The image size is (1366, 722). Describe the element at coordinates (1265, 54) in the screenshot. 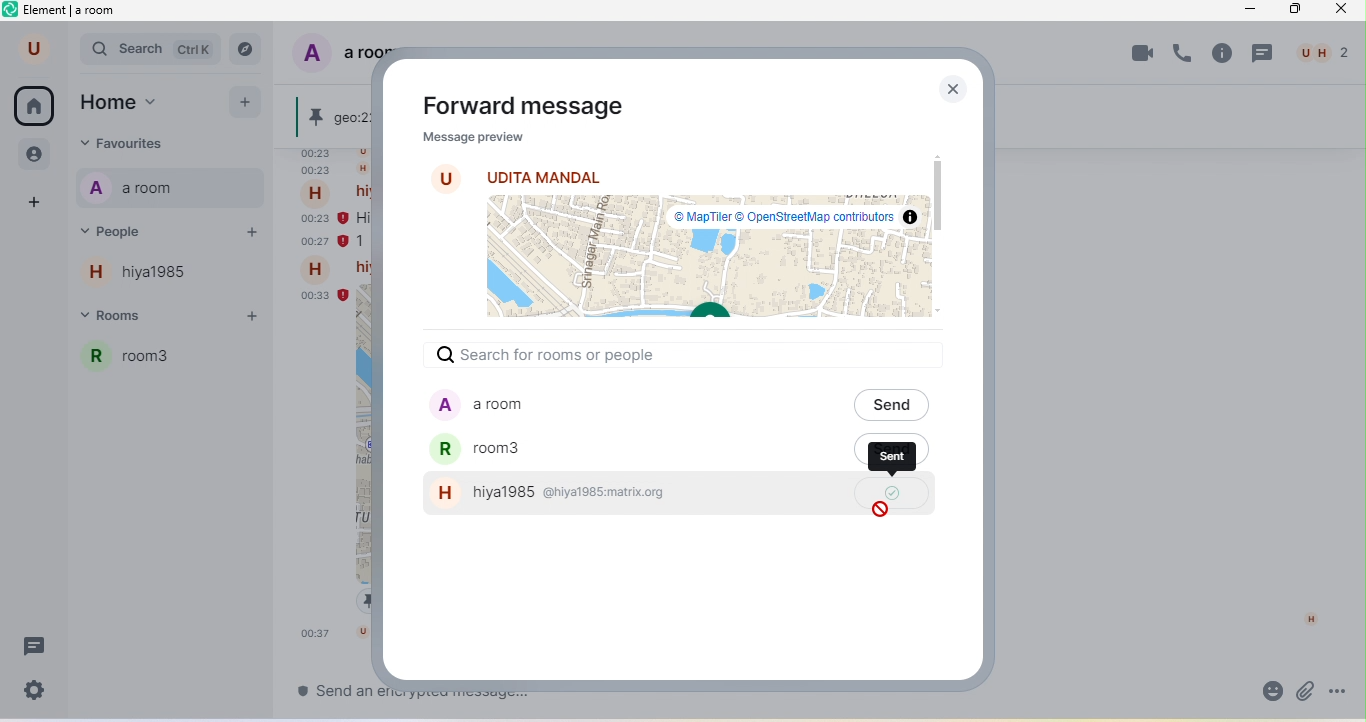

I see `threads` at that location.